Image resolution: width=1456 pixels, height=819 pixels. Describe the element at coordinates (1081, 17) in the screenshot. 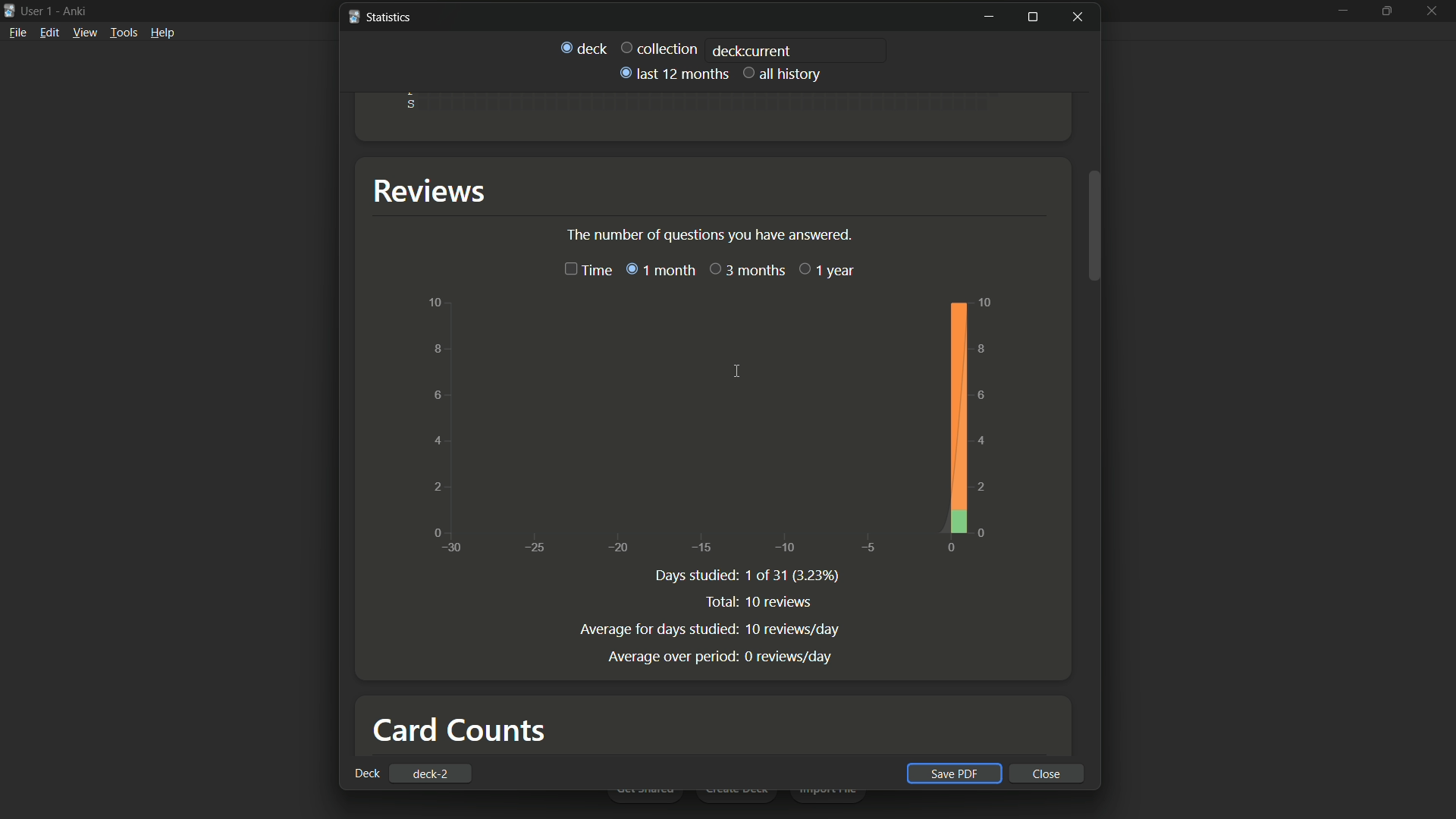

I see `Close` at that location.